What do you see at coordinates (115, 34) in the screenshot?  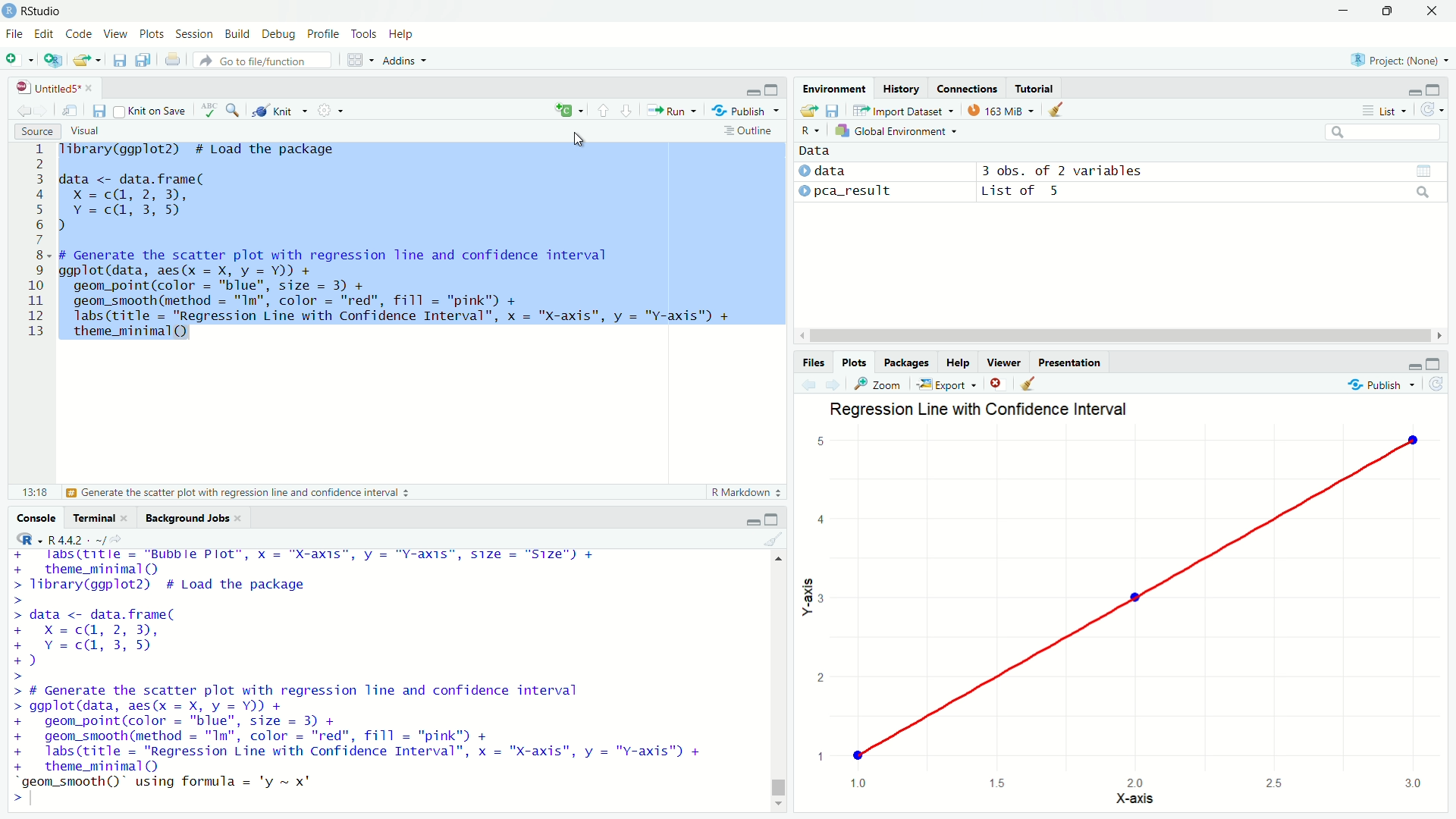 I see `View` at bounding box center [115, 34].